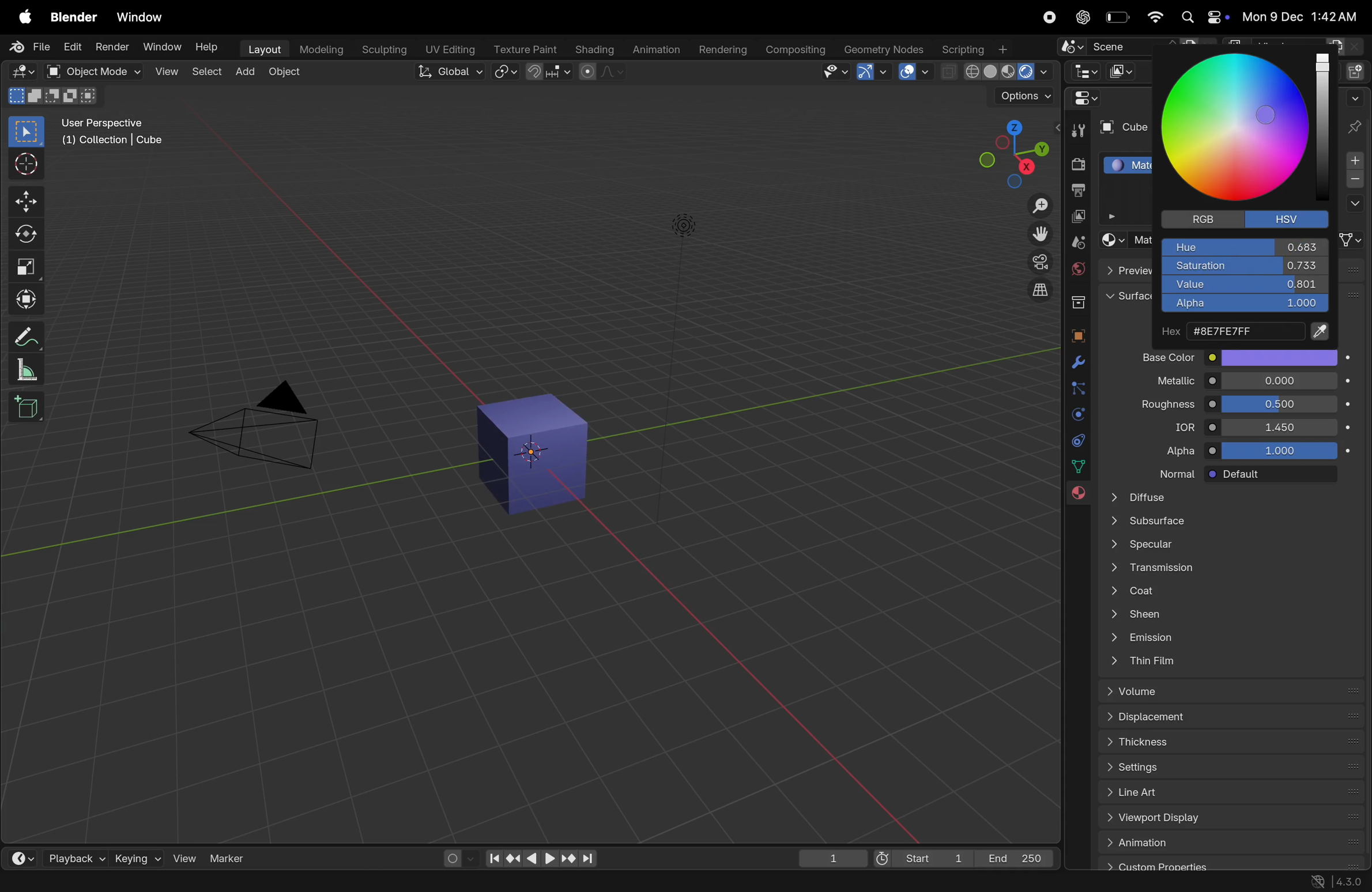 This screenshot has height=892, width=1372. I want to click on hsc, so click(1292, 218).